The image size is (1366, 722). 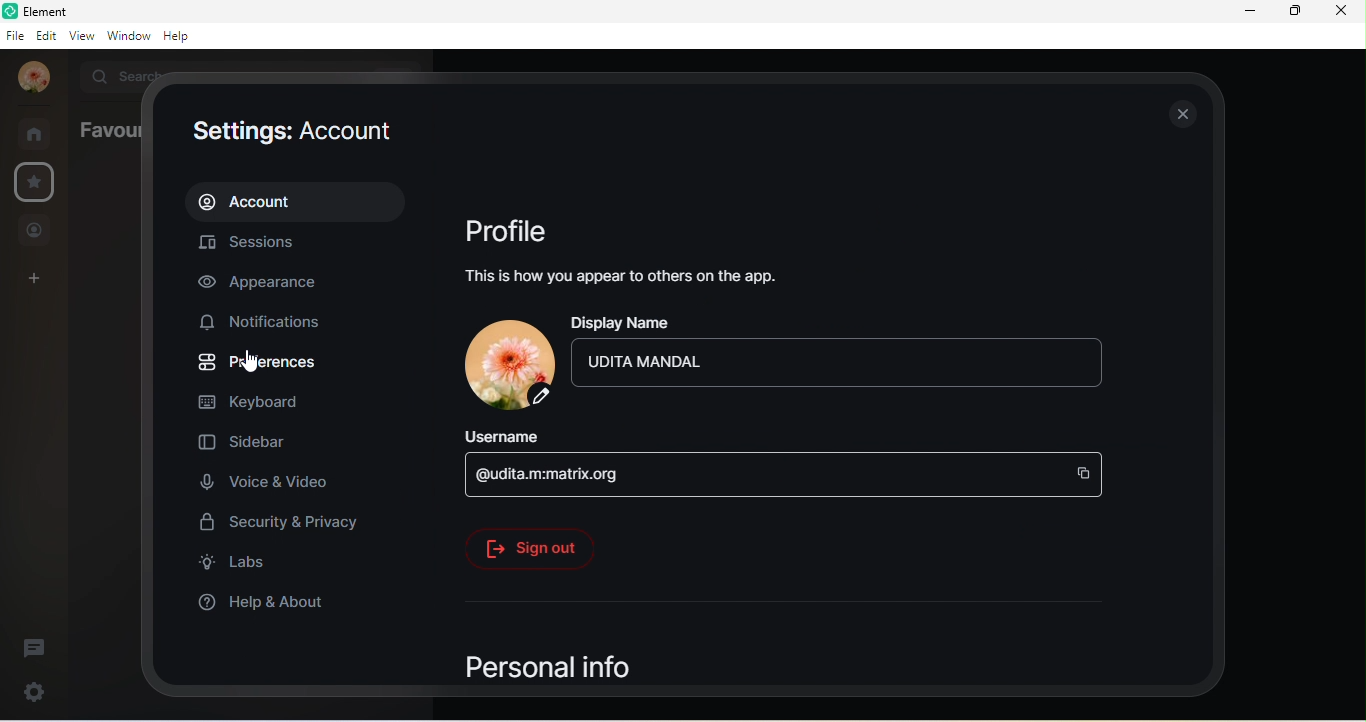 I want to click on view, so click(x=83, y=35).